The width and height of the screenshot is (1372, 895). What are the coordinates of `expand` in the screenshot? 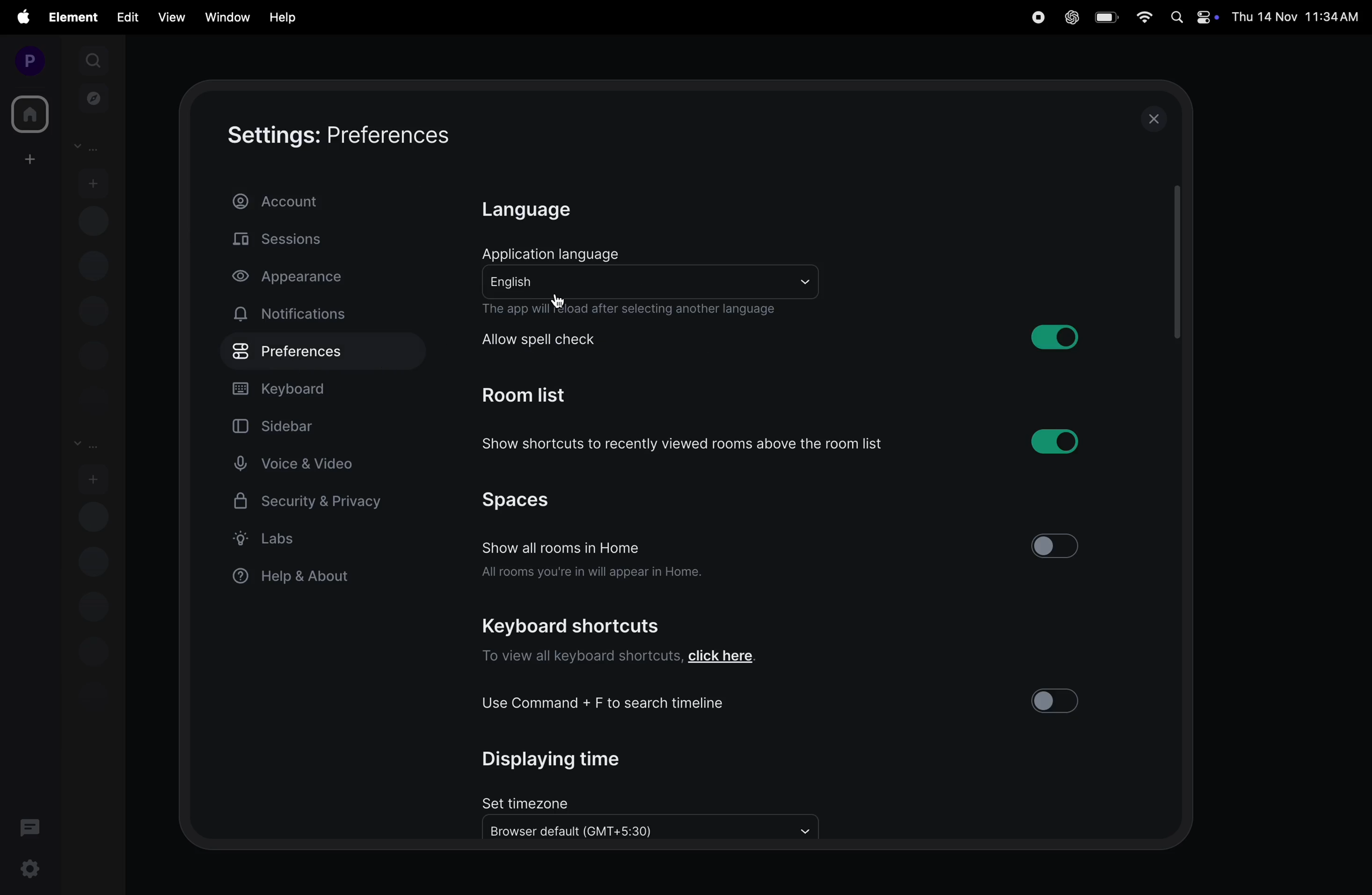 It's located at (61, 61).